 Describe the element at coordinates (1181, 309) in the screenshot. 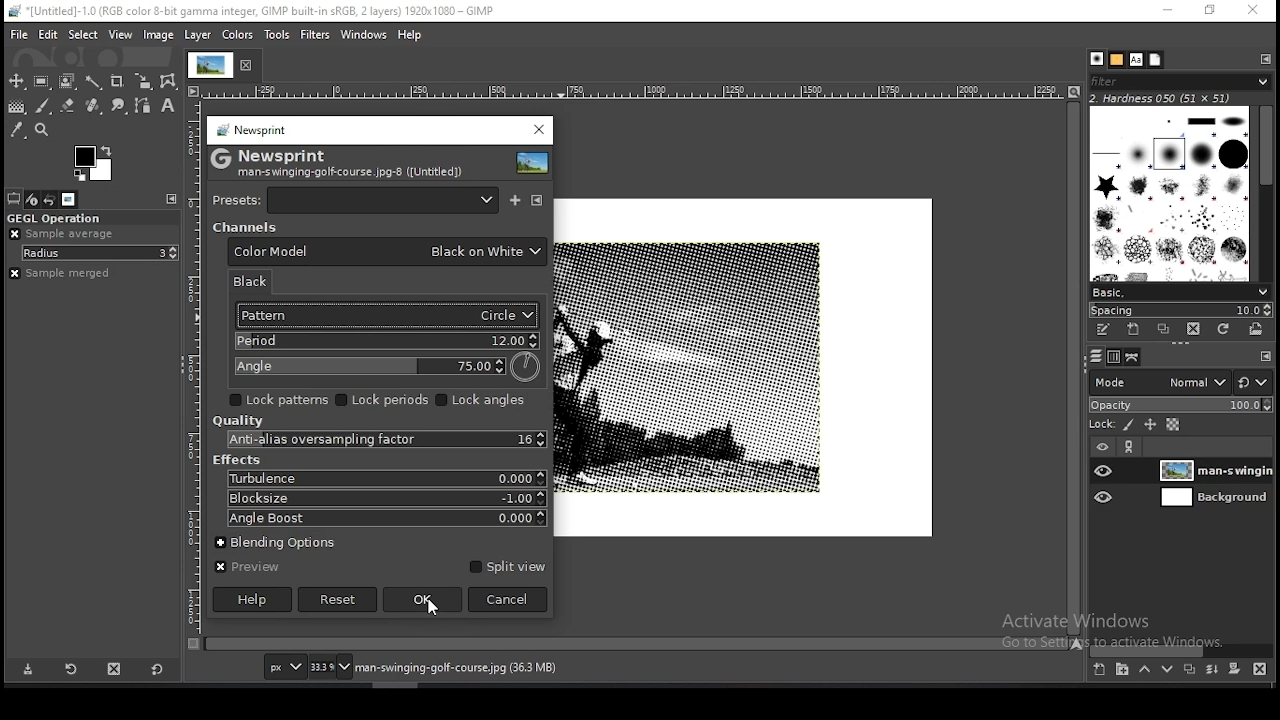

I see `spacing` at that location.